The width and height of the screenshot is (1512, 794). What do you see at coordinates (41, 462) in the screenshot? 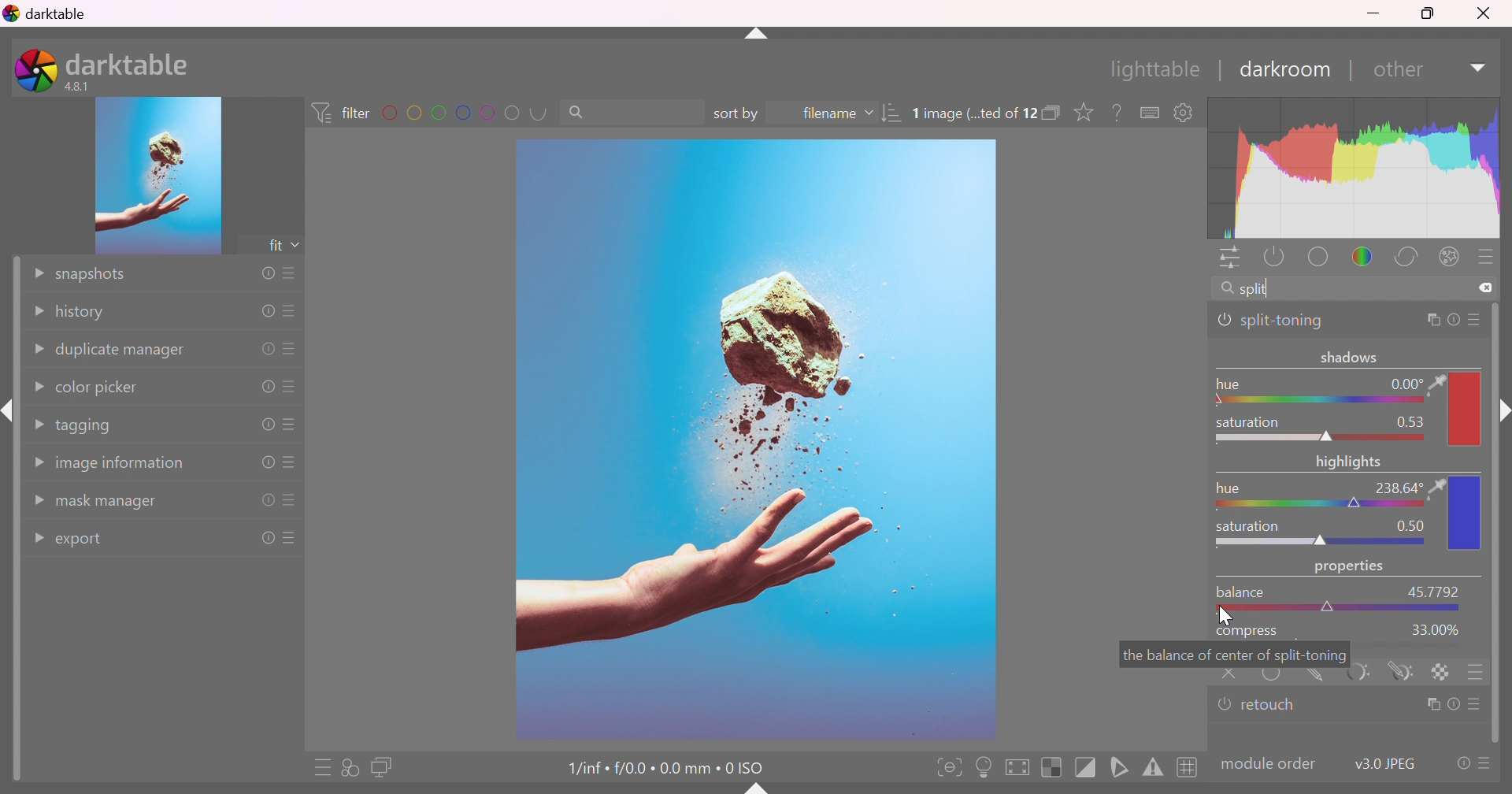
I see `Drop Down` at bounding box center [41, 462].